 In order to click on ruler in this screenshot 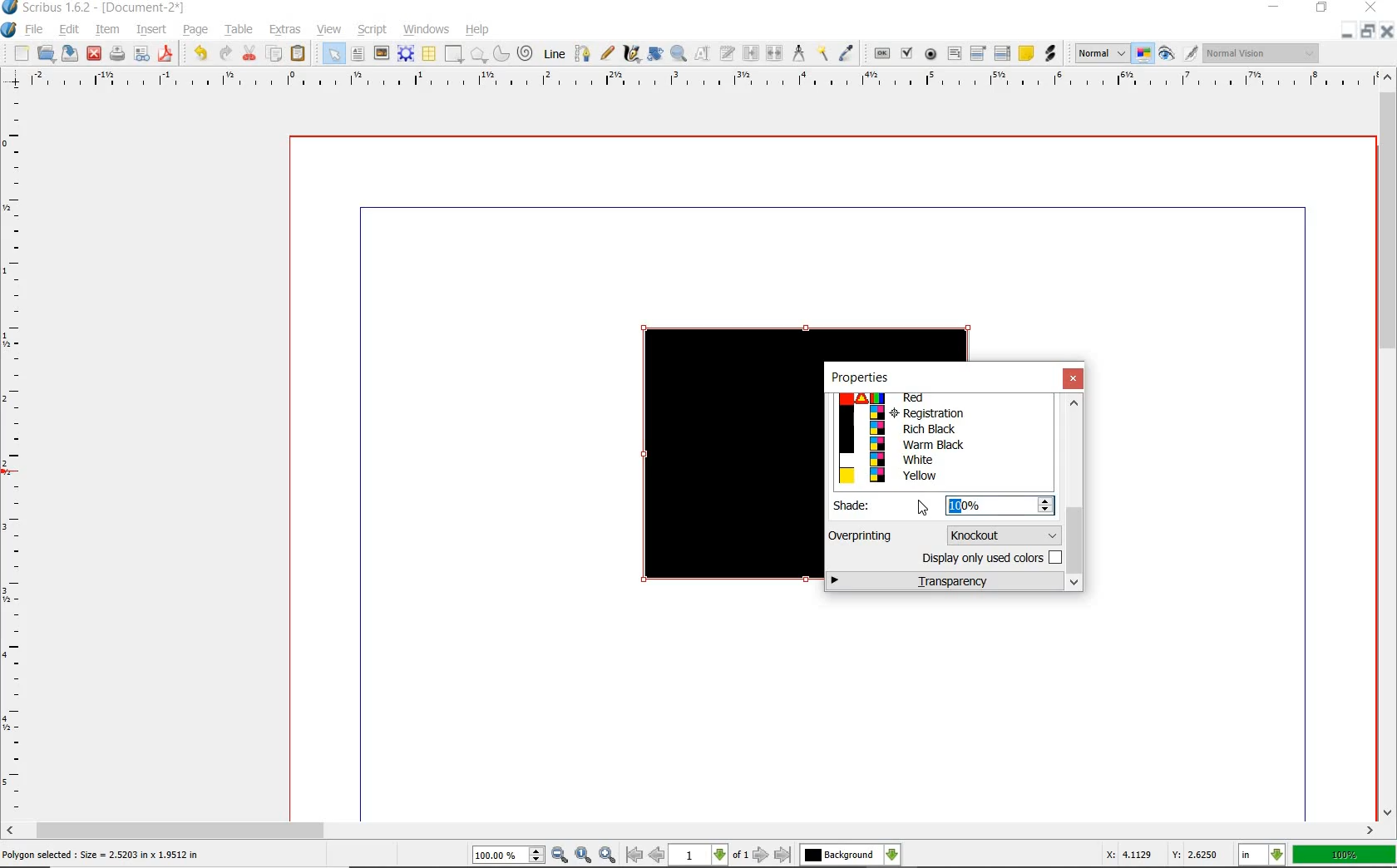, I will do `click(696, 81)`.